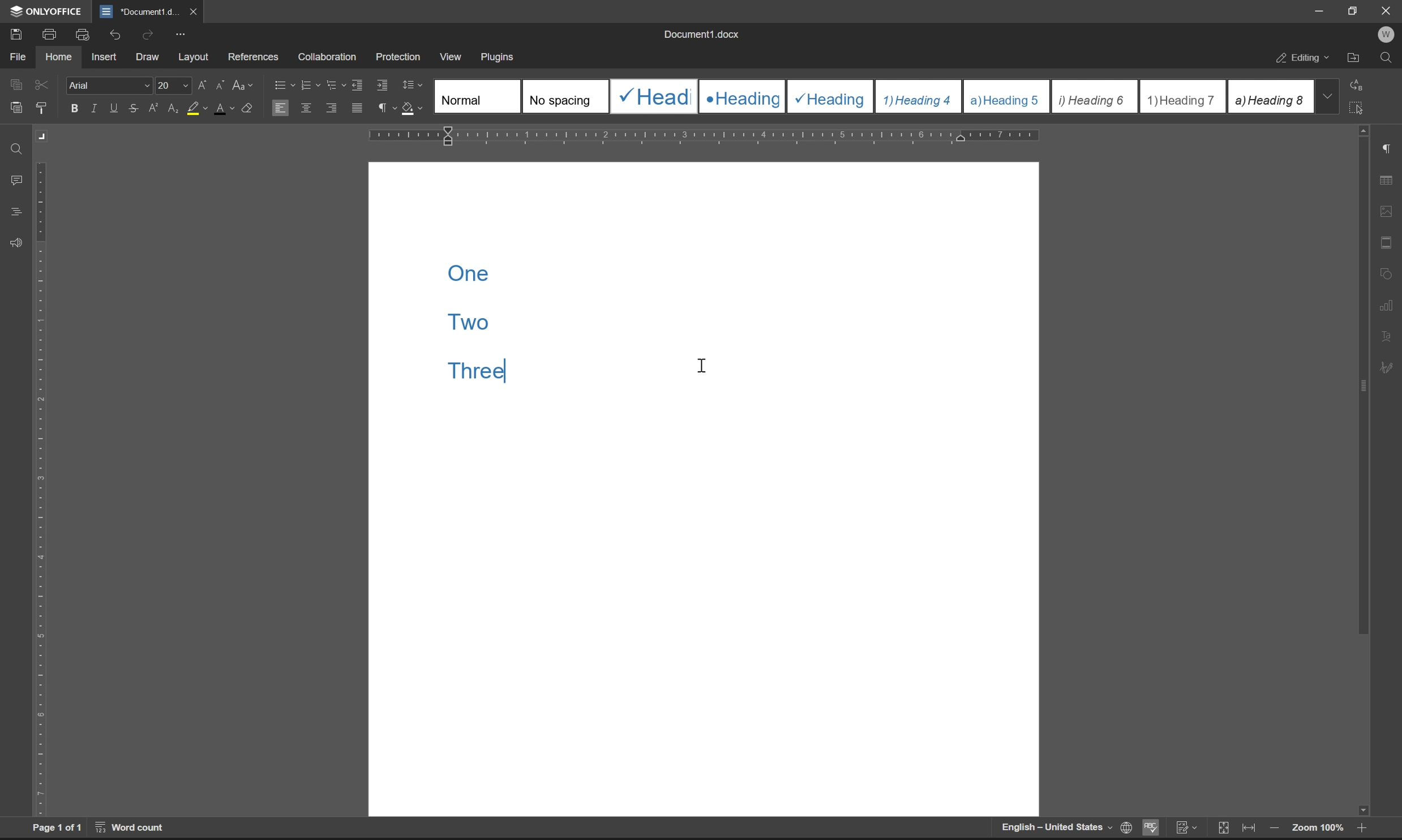  What do you see at coordinates (1124, 828) in the screenshot?
I see `set document language` at bounding box center [1124, 828].